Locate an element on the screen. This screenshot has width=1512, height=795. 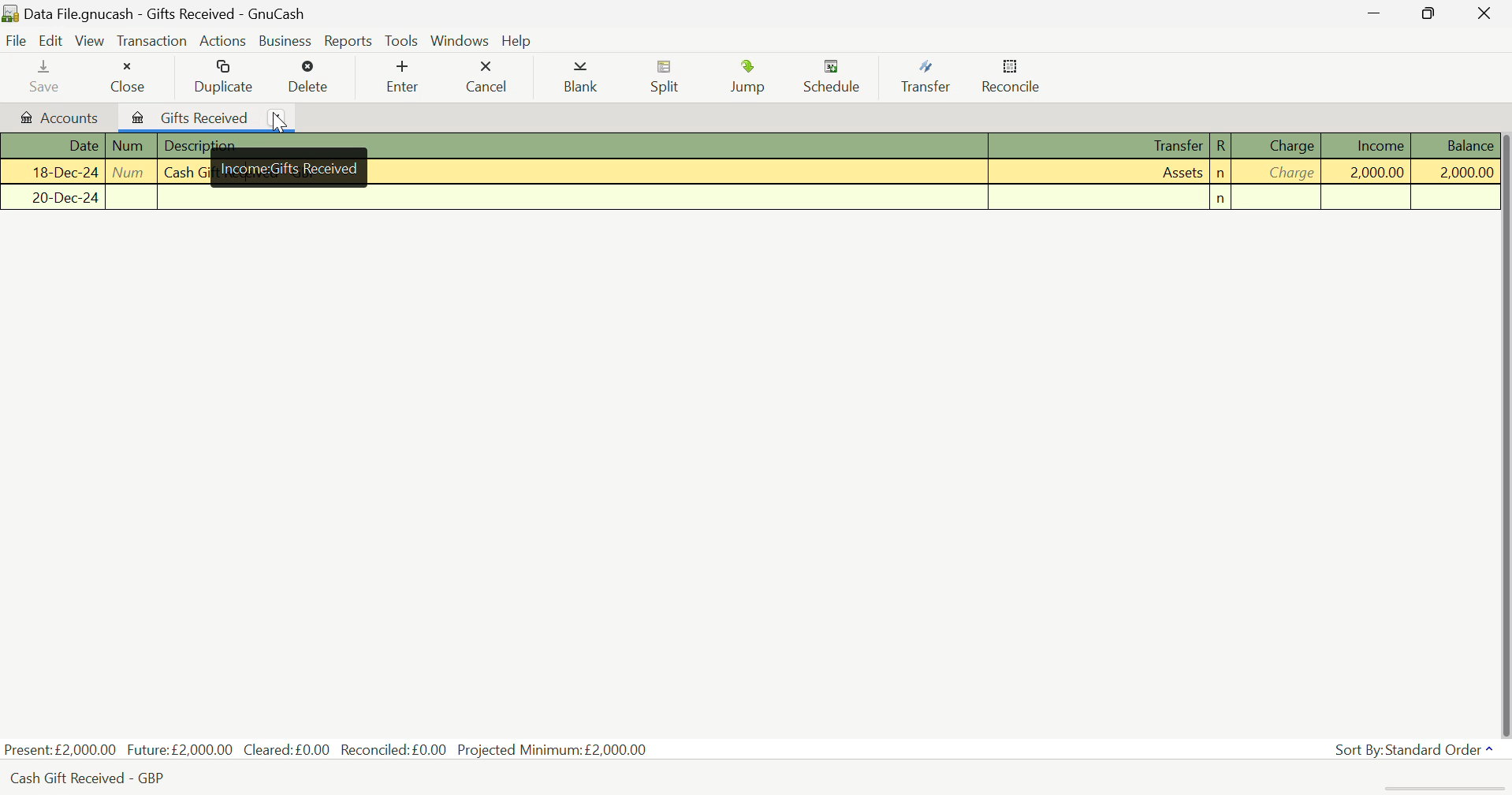
Income is located at coordinates (1369, 172).